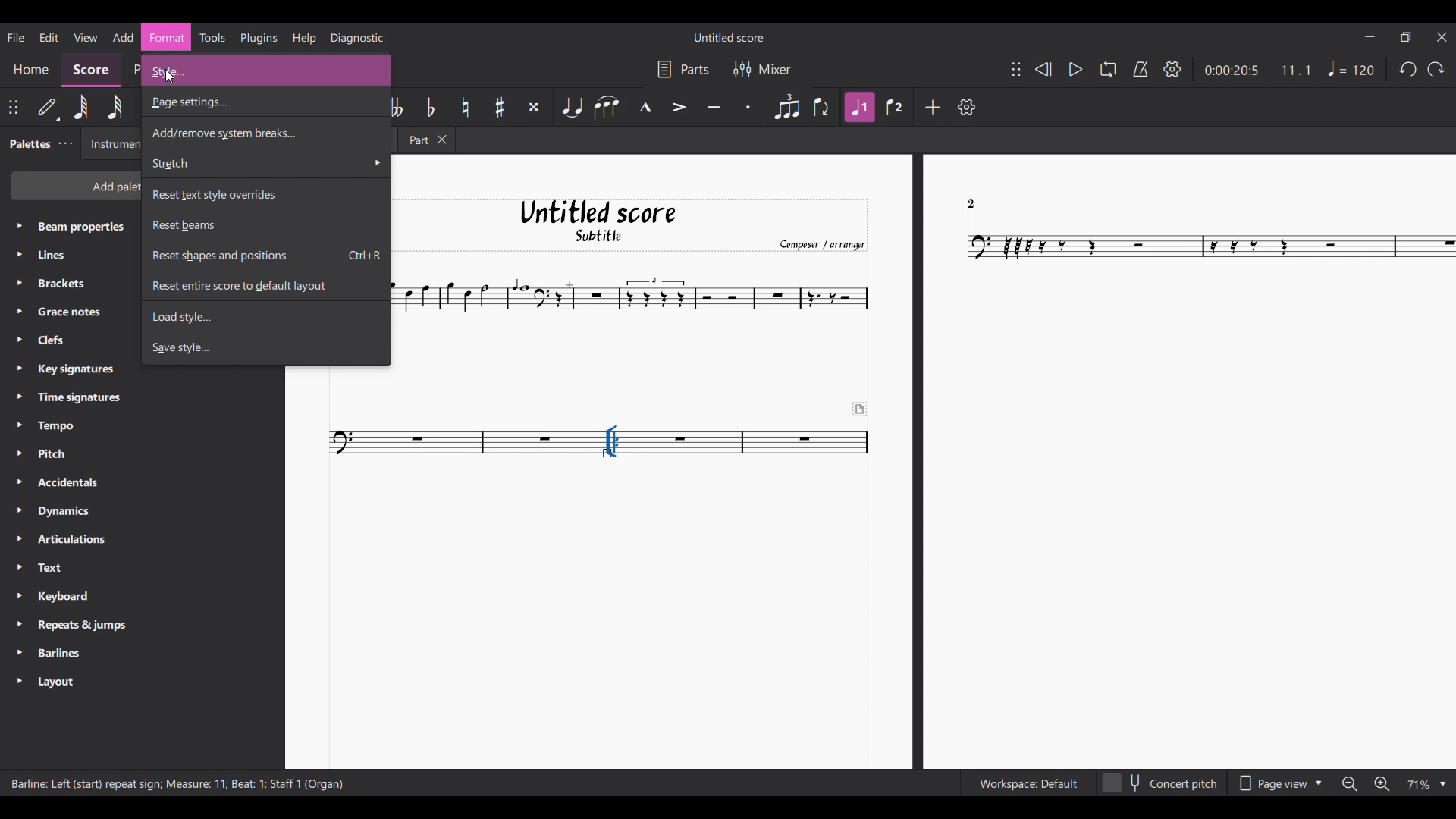  I want to click on Highlighted by cursor, so click(612, 442).